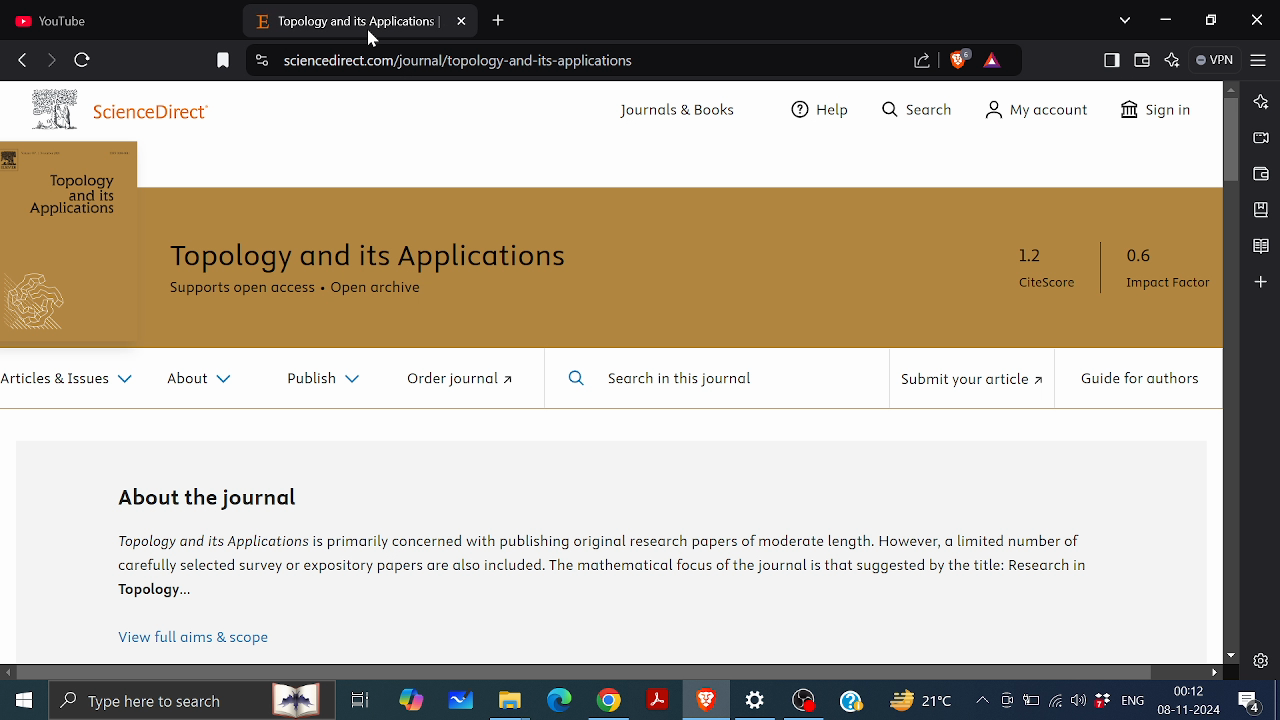 The width and height of the screenshot is (1280, 720). I want to click on Weather, so click(919, 699).